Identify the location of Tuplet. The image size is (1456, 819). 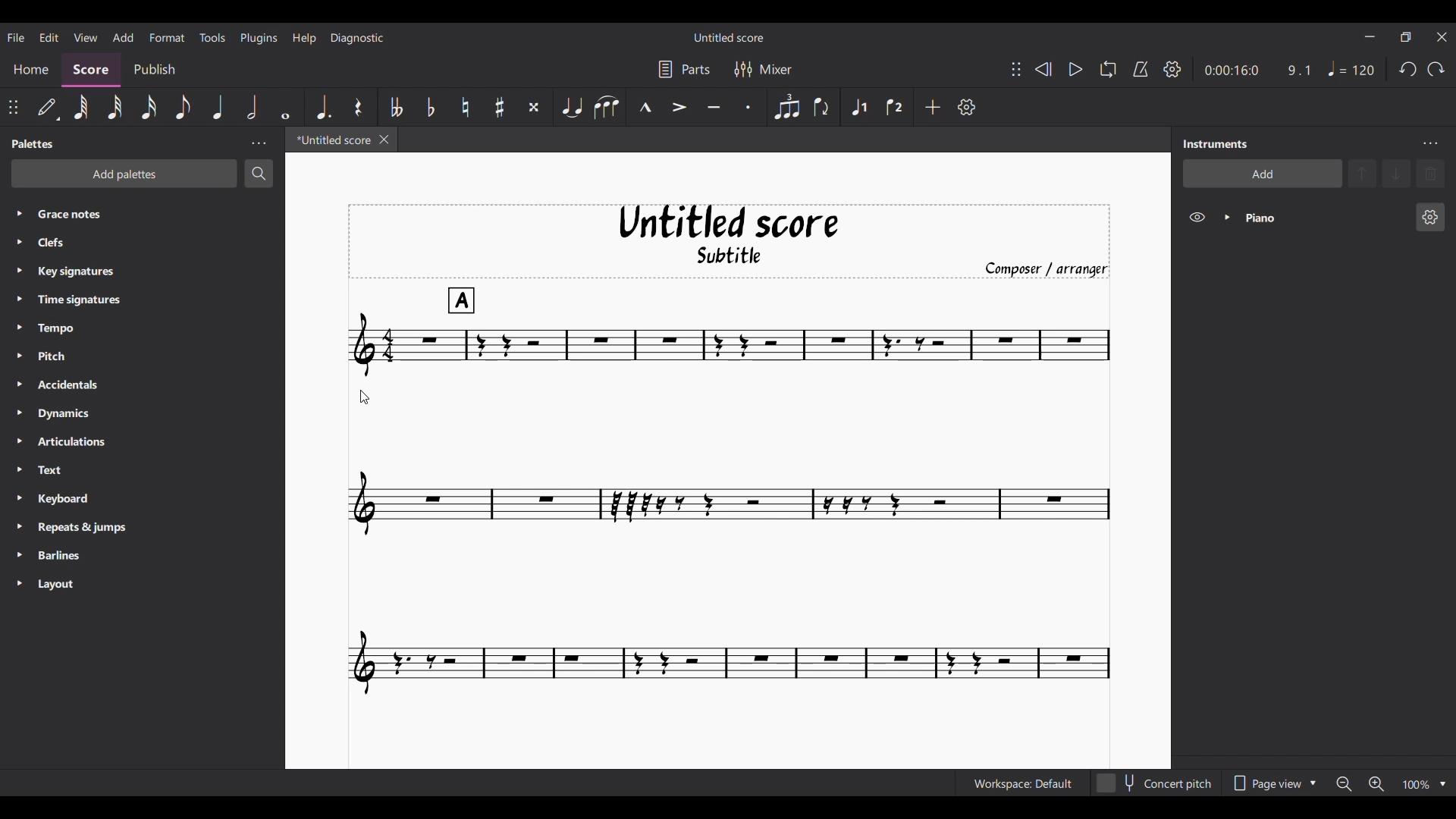
(787, 108).